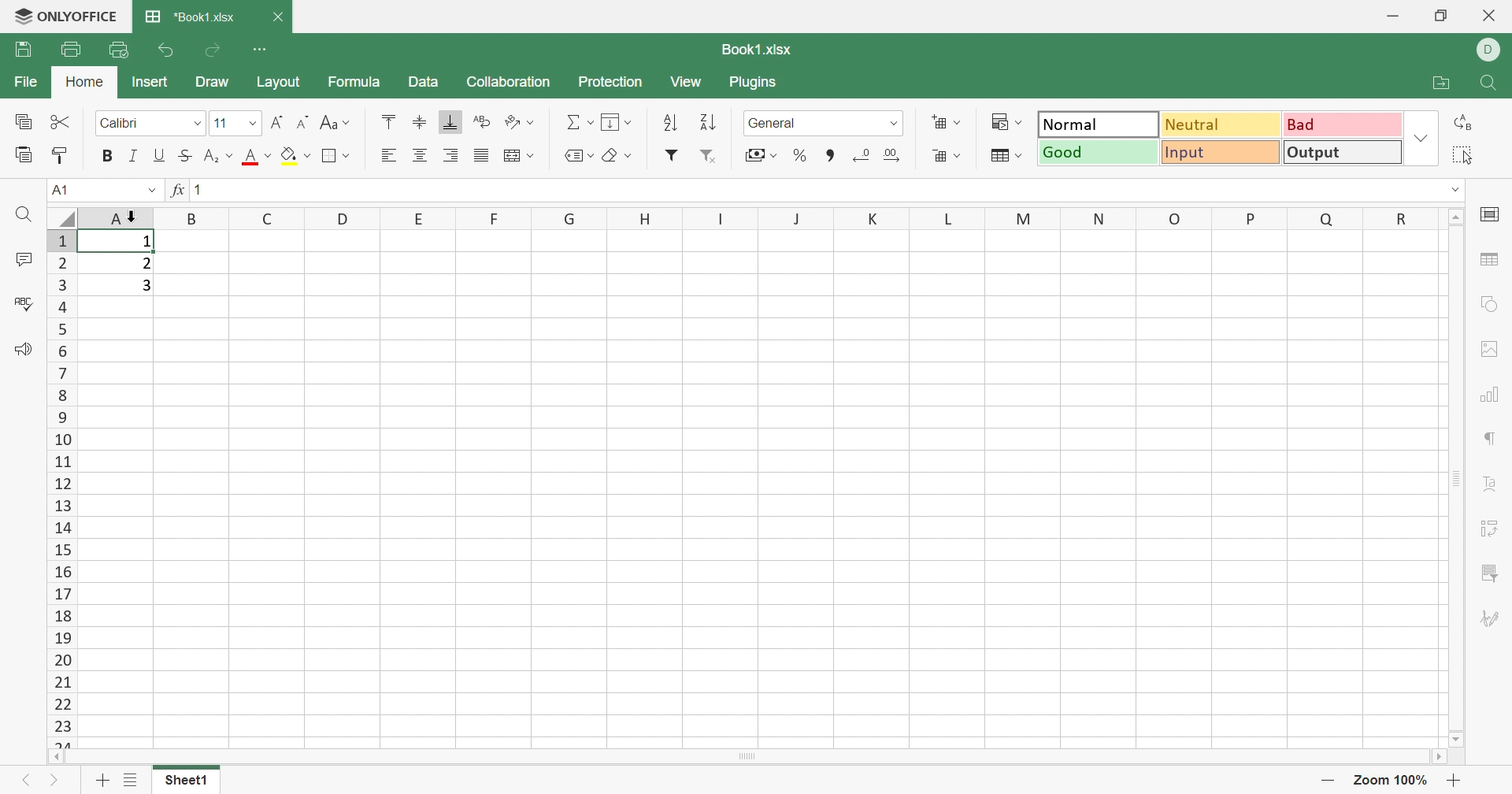 This screenshot has height=794, width=1512. Describe the element at coordinates (102, 783) in the screenshot. I see `Add sheet` at that location.